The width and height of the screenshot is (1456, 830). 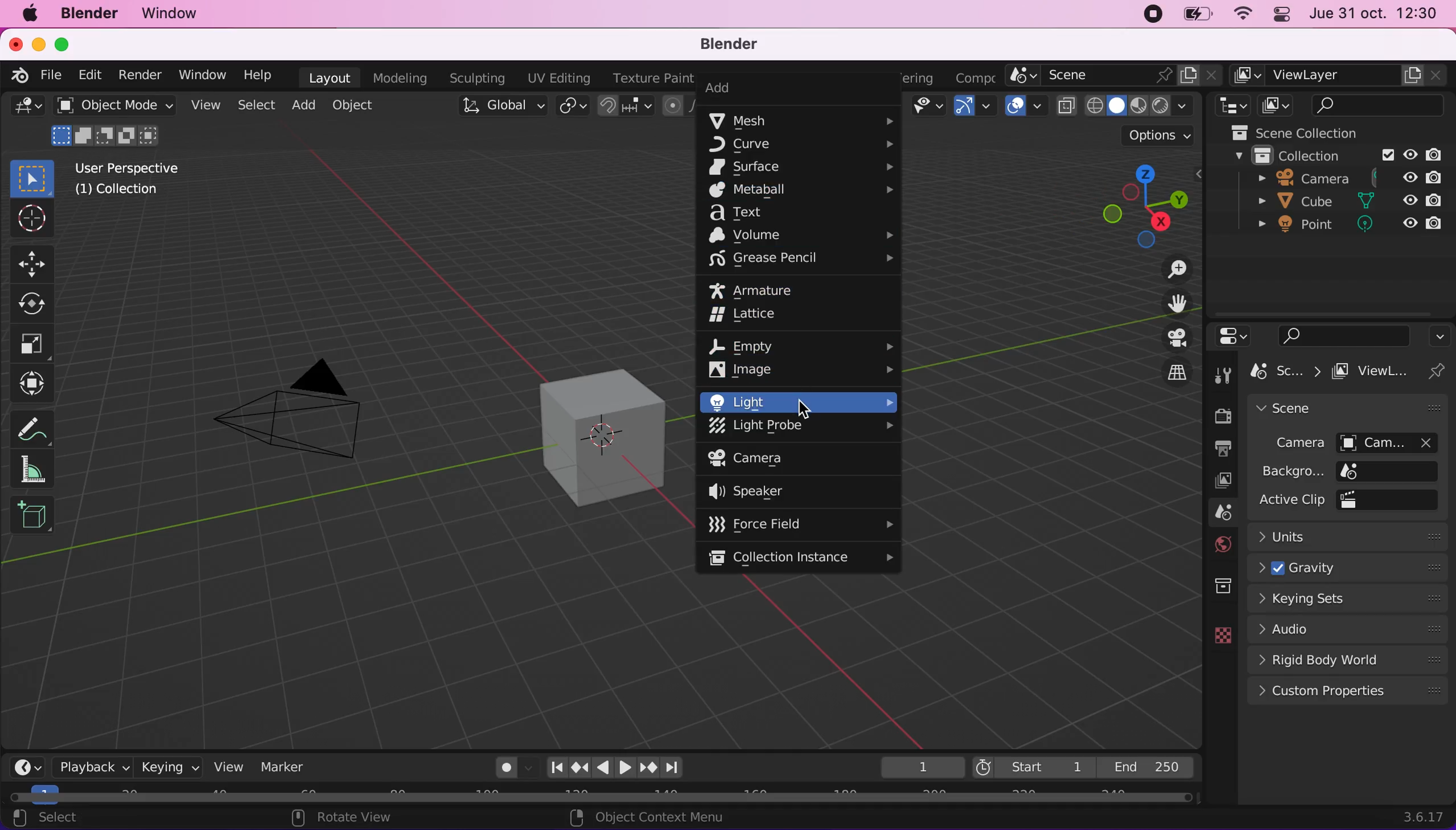 What do you see at coordinates (1338, 335) in the screenshot?
I see `search` at bounding box center [1338, 335].